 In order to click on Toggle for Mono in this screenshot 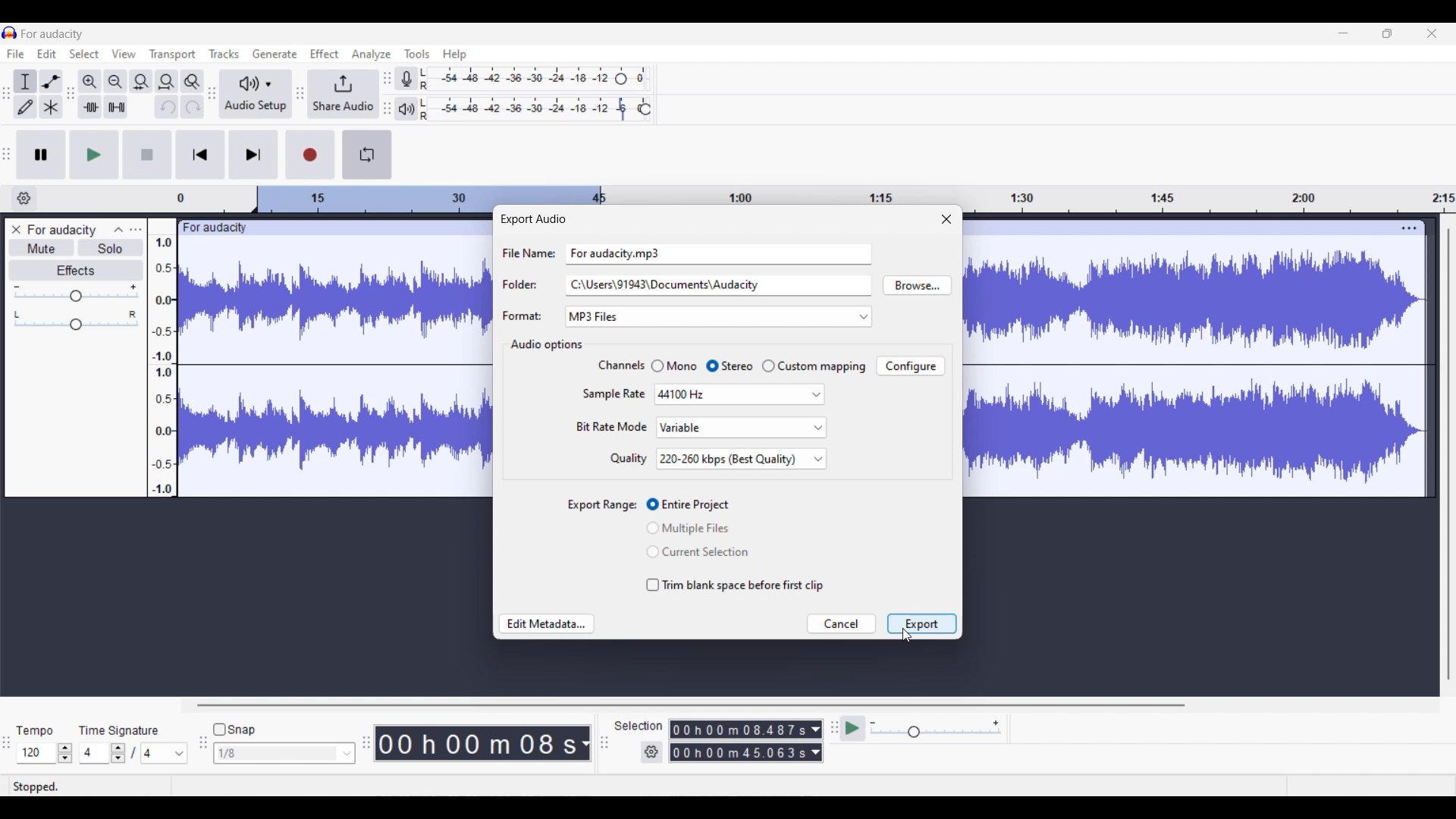, I will do `click(673, 366)`.